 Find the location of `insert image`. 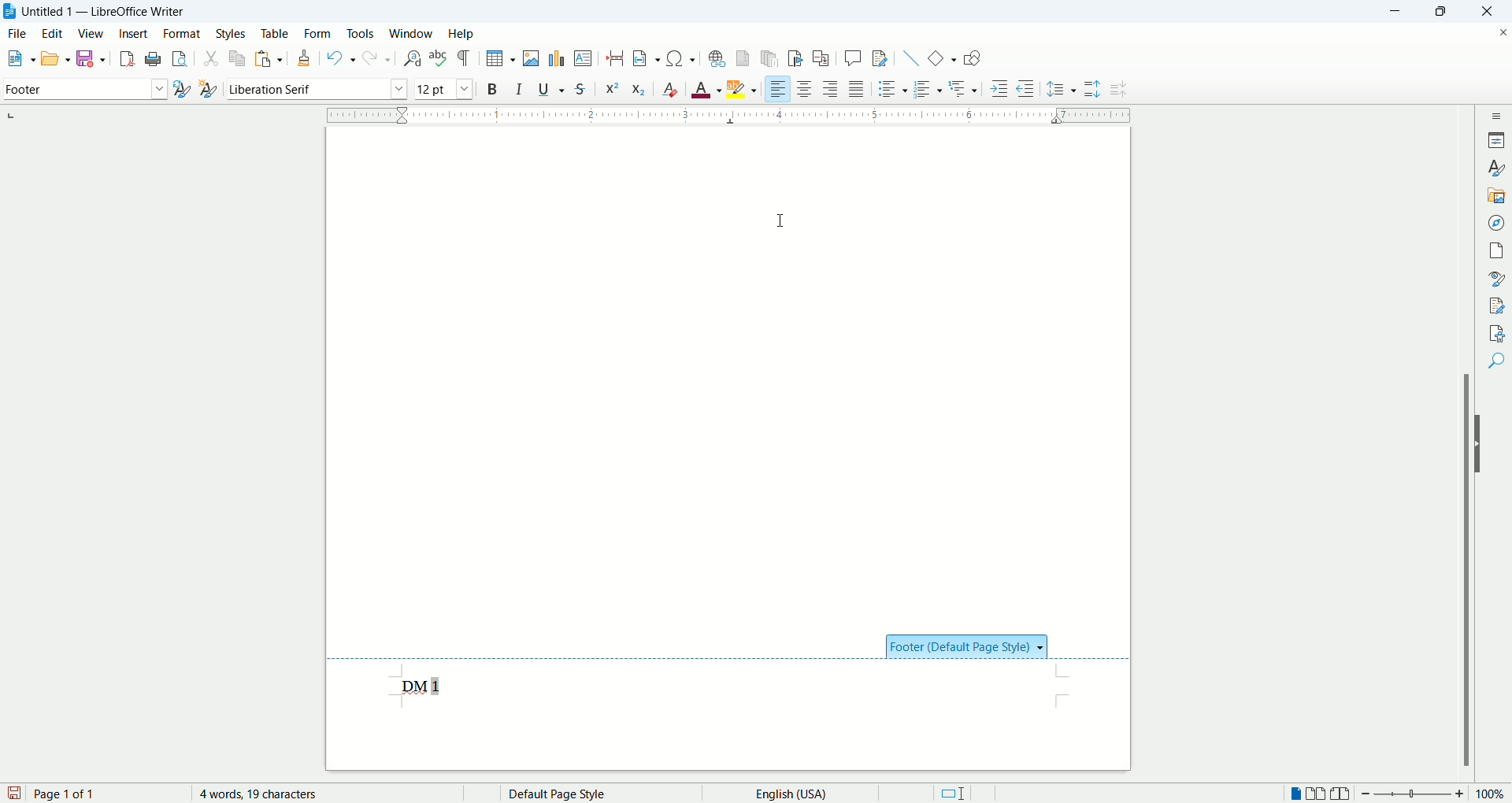

insert image is located at coordinates (534, 58).